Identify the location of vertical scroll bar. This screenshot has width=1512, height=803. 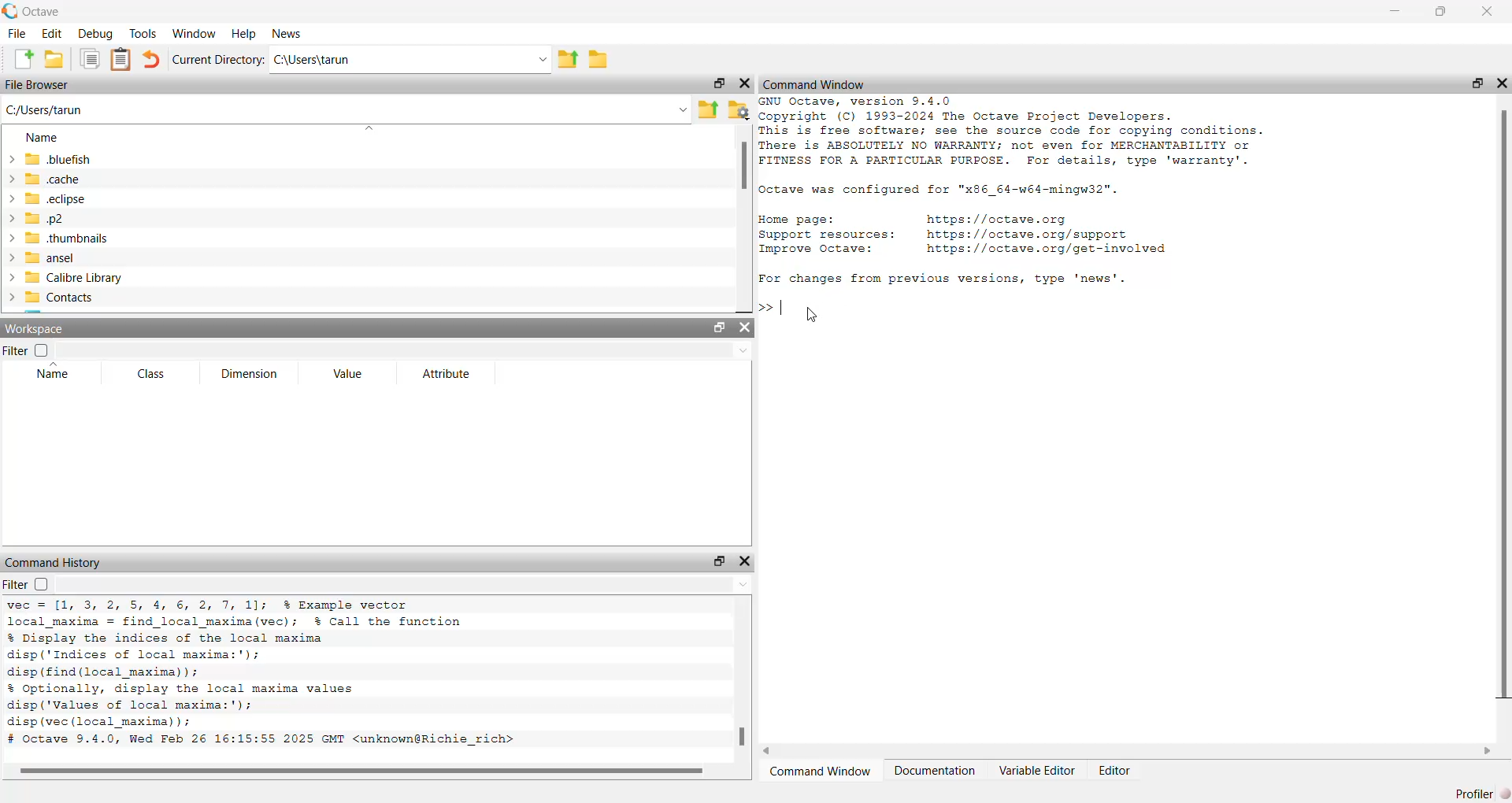
(1501, 417).